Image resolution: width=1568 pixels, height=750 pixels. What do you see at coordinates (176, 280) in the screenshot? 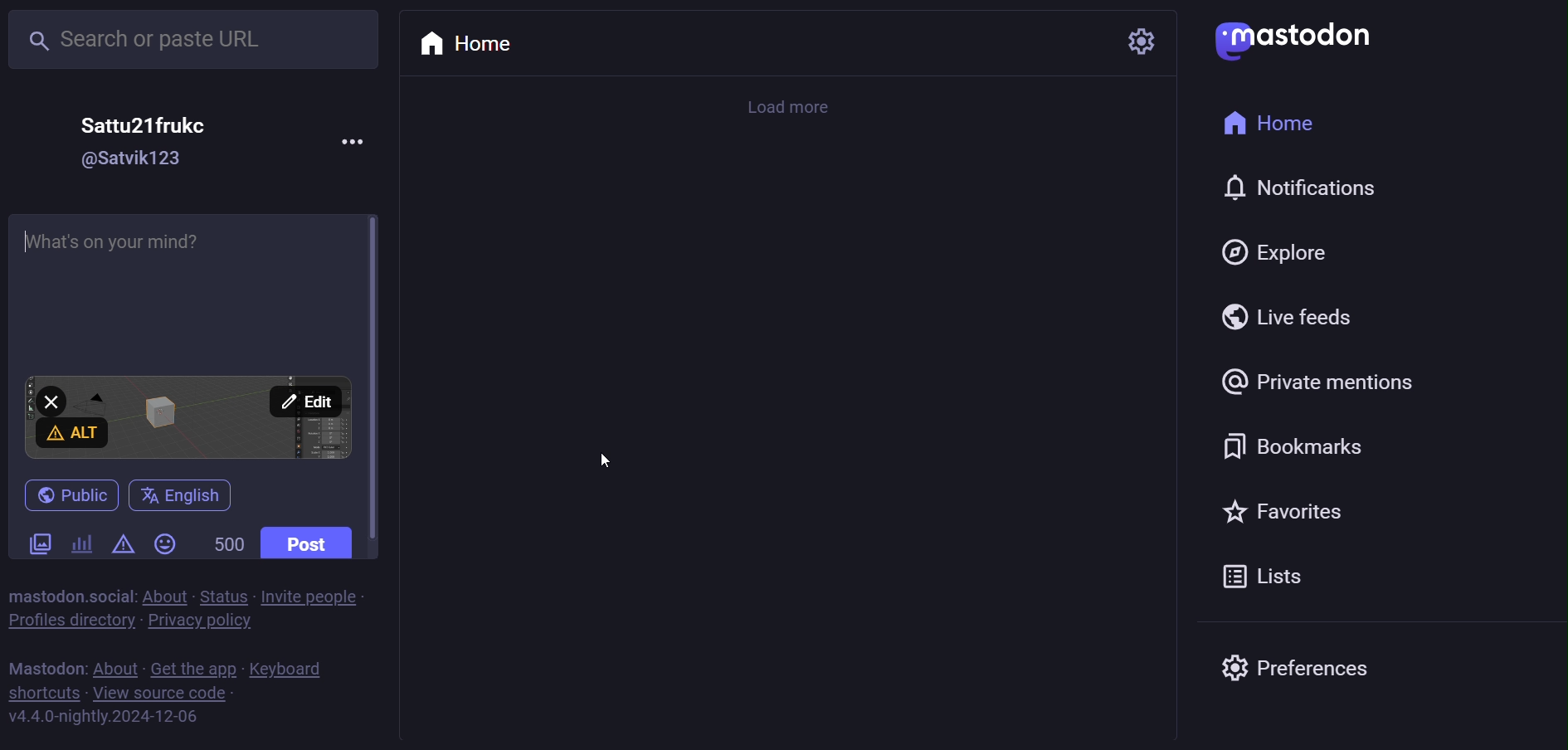
I see `write here` at bounding box center [176, 280].